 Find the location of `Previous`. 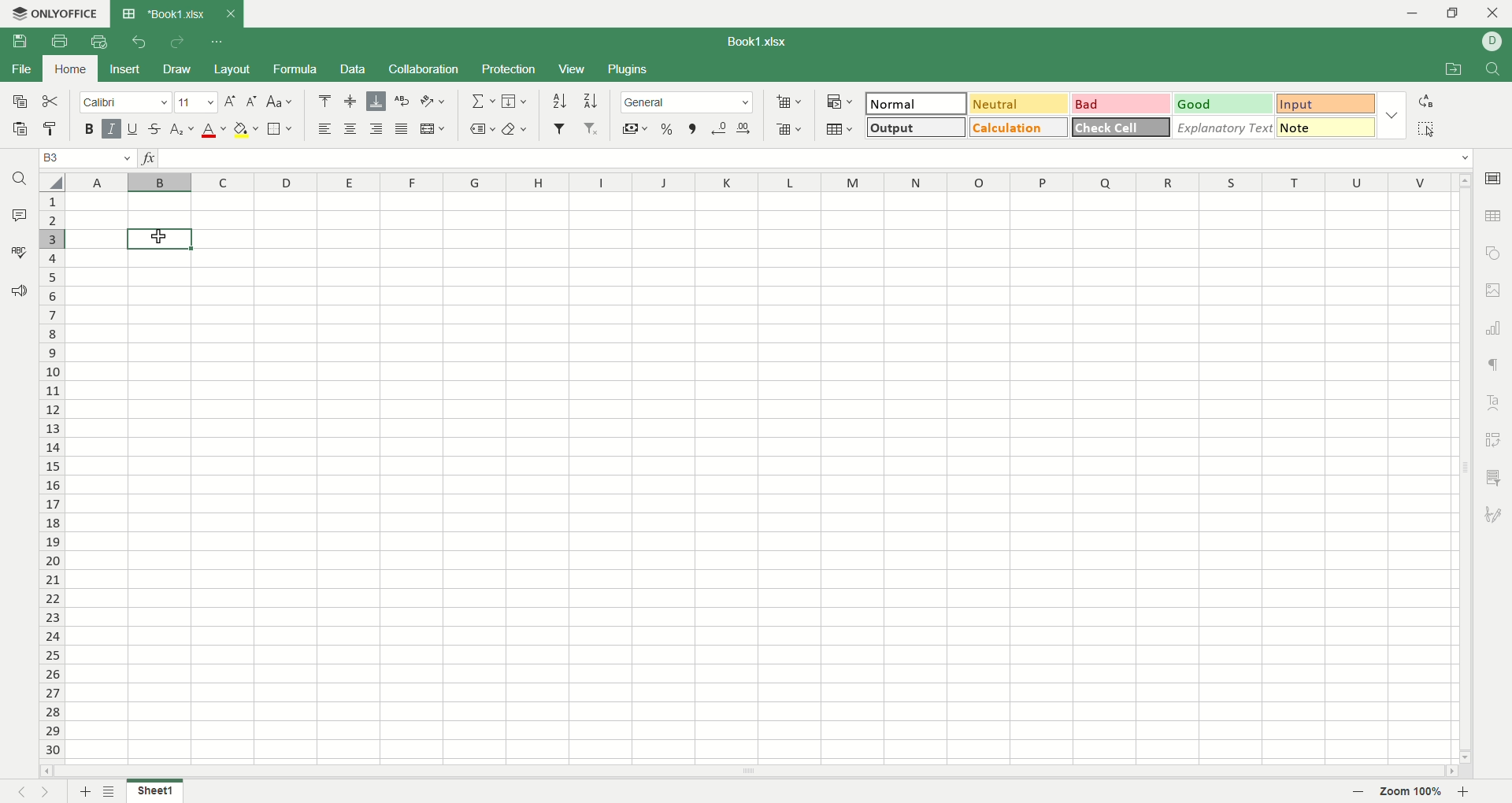

Previous is located at coordinates (20, 791).